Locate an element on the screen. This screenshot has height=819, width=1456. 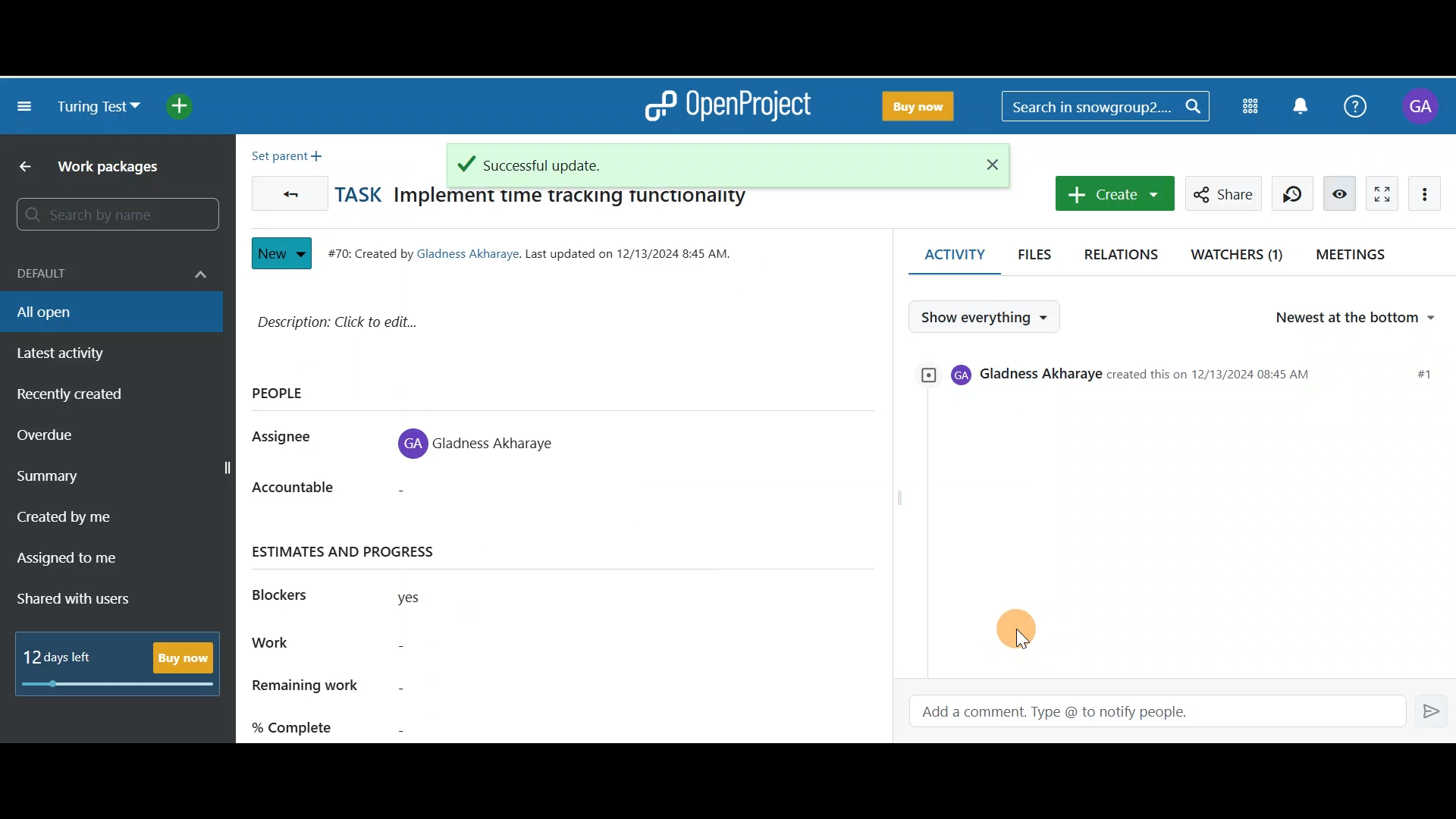
Summary is located at coordinates (120, 479).